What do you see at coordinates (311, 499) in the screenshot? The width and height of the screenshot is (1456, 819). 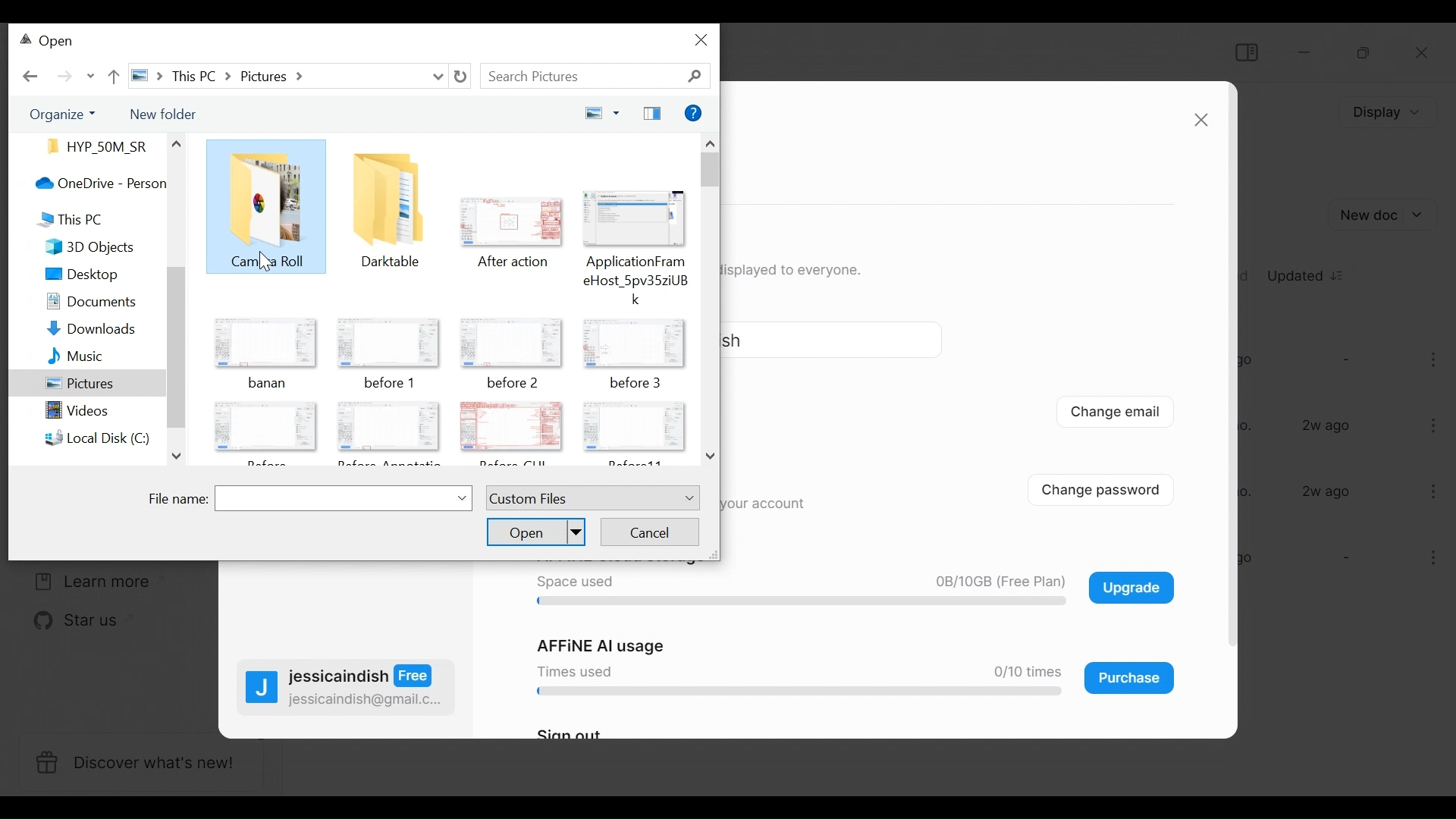 I see `File Name` at bounding box center [311, 499].